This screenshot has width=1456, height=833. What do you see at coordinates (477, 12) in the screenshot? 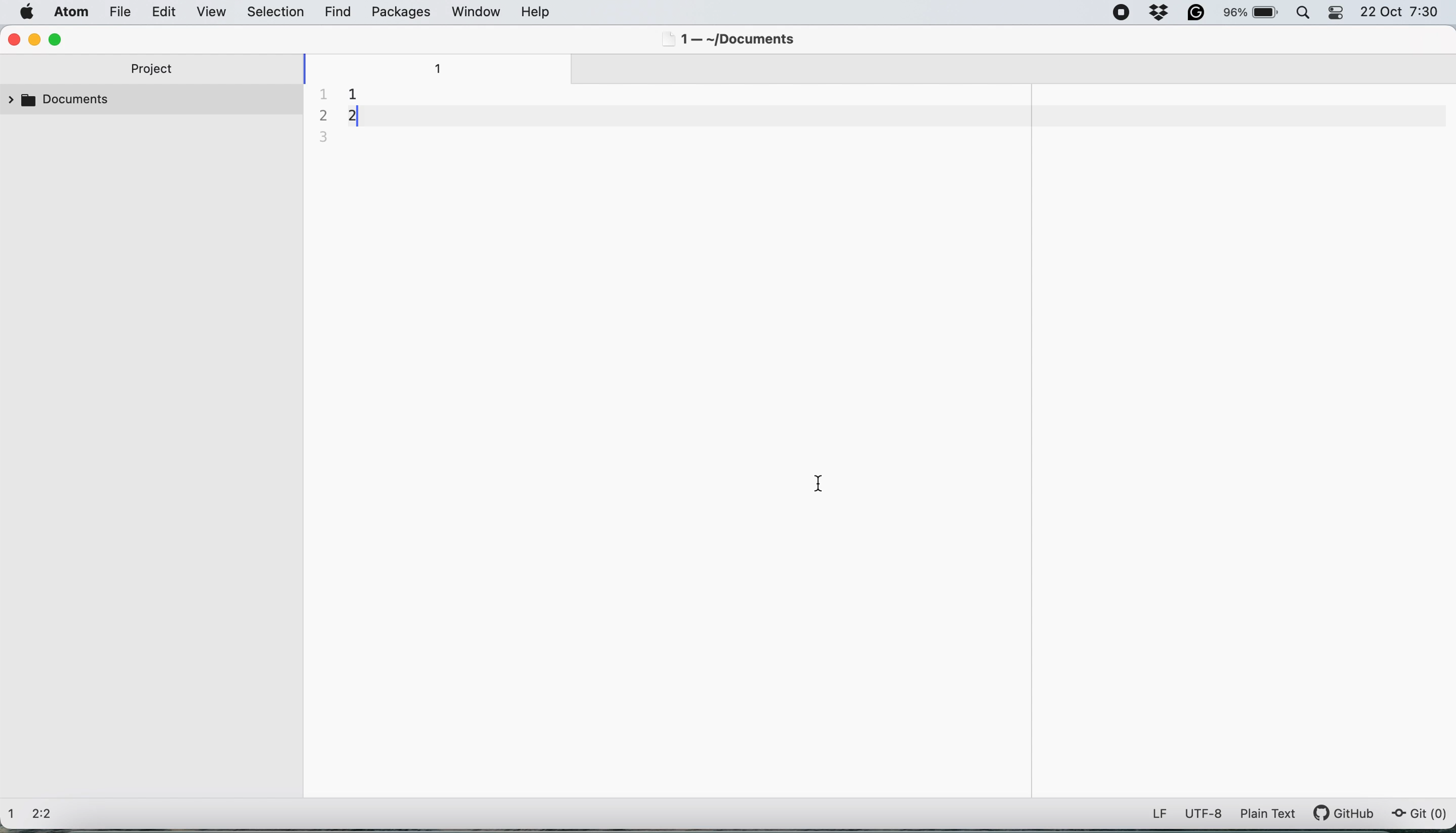
I see `window` at bounding box center [477, 12].